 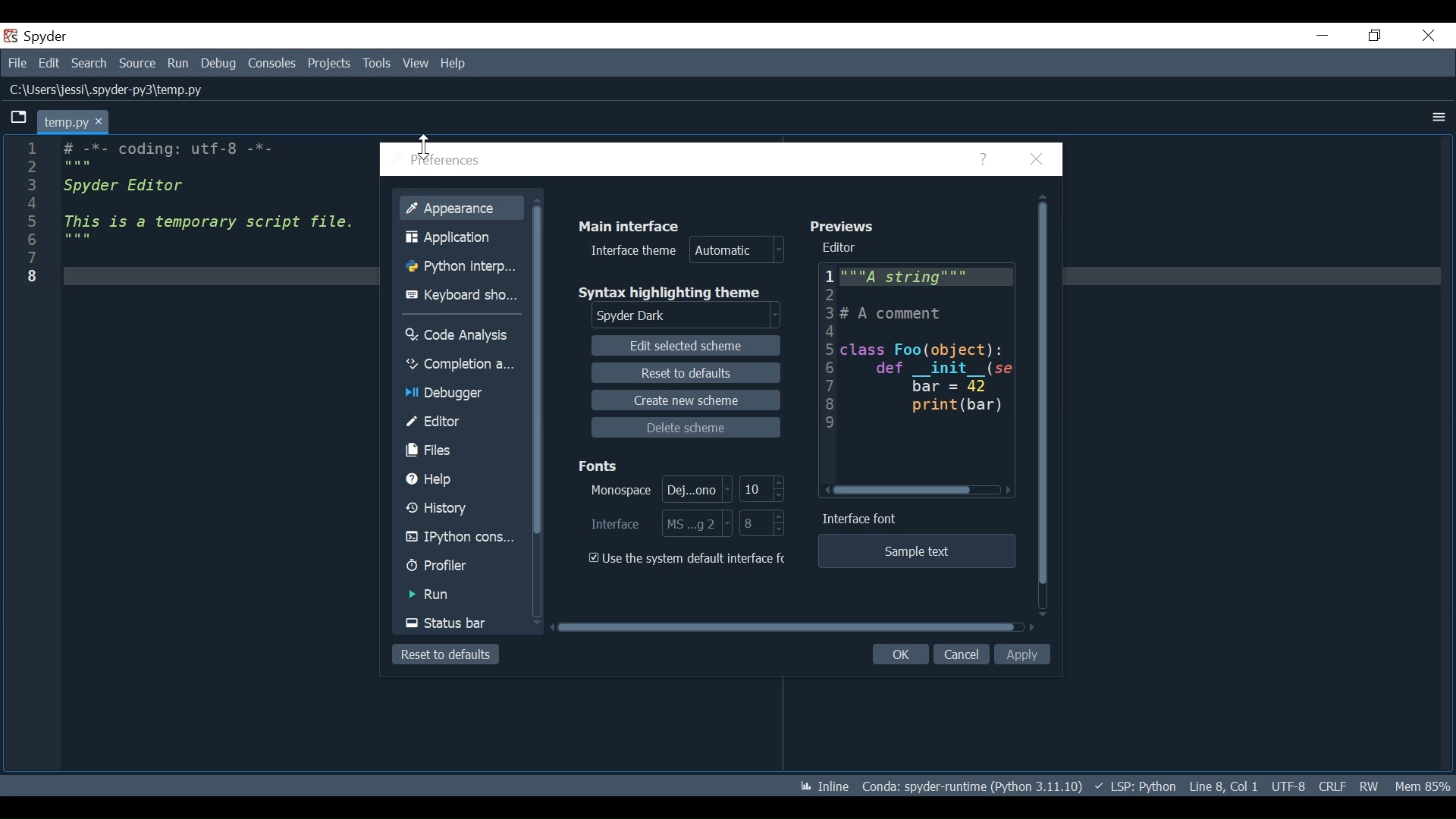 What do you see at coordinates (447, 654) in the screenshot?
I see `Reset to defaults` at bounding box center [447, 654].